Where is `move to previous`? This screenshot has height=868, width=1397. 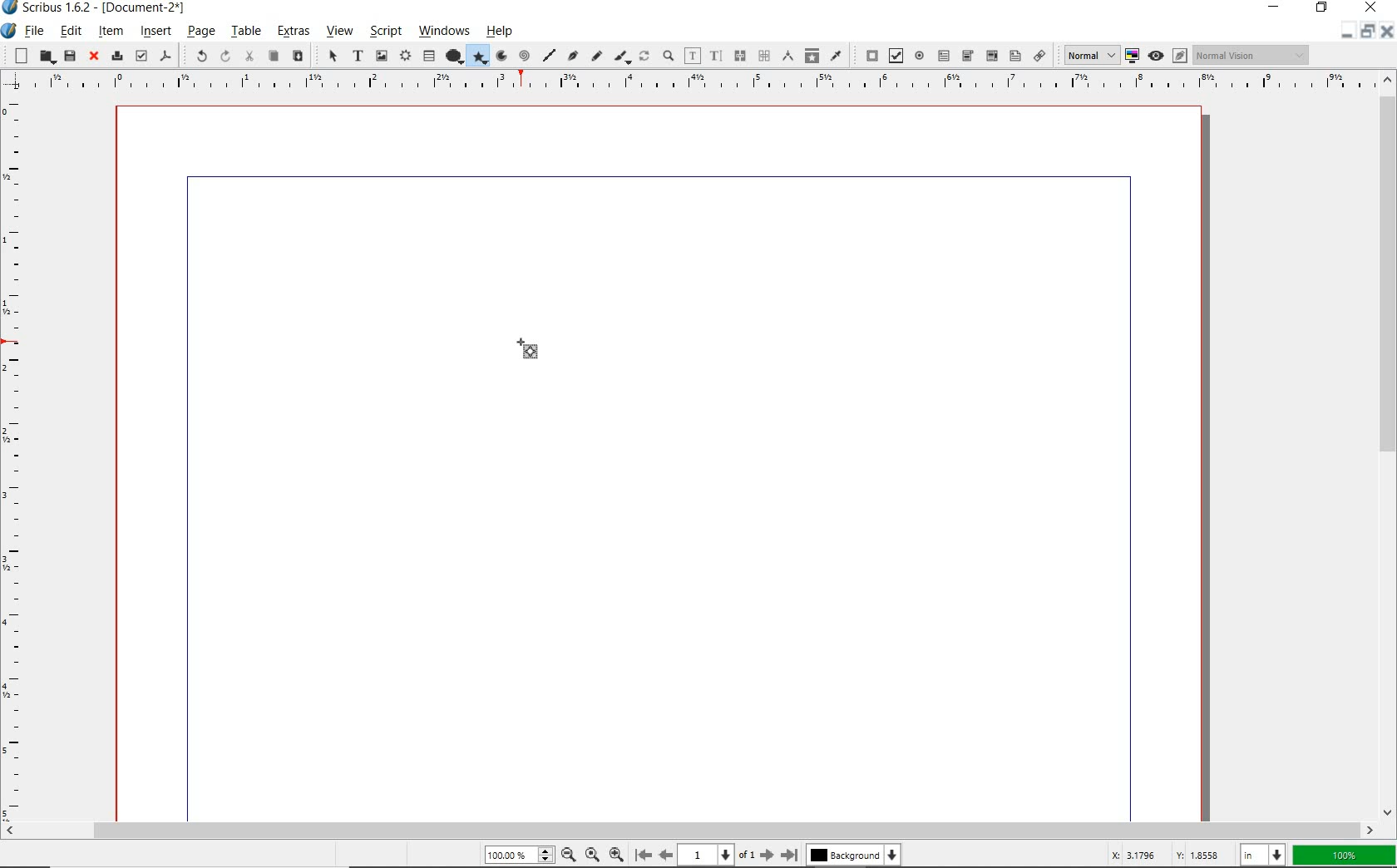
move to previous is located at coordinates (672, 854).